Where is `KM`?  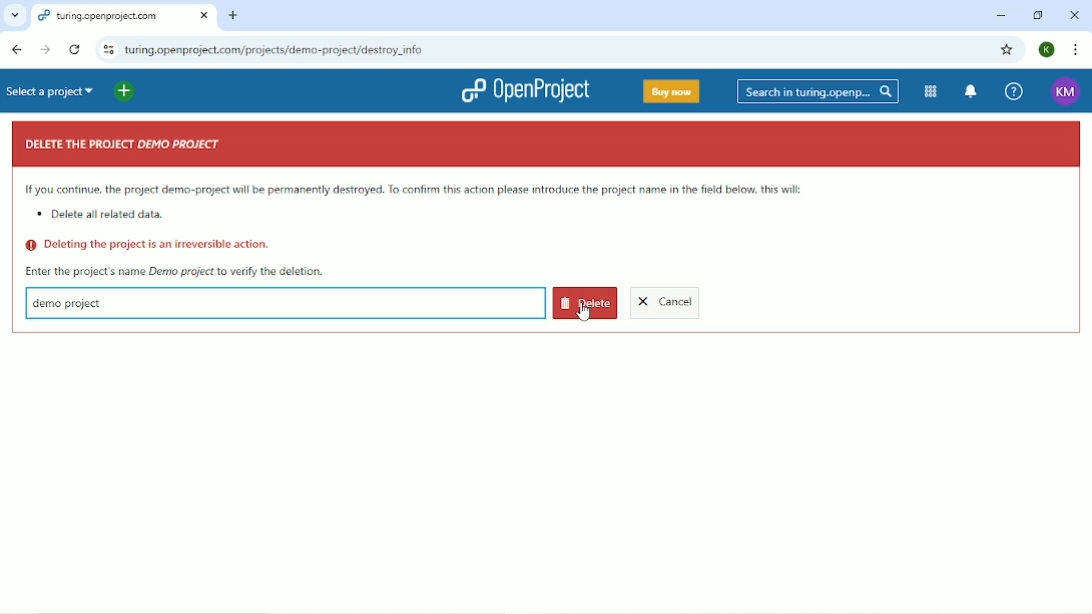
KM is located at coordinates (1065, 93).